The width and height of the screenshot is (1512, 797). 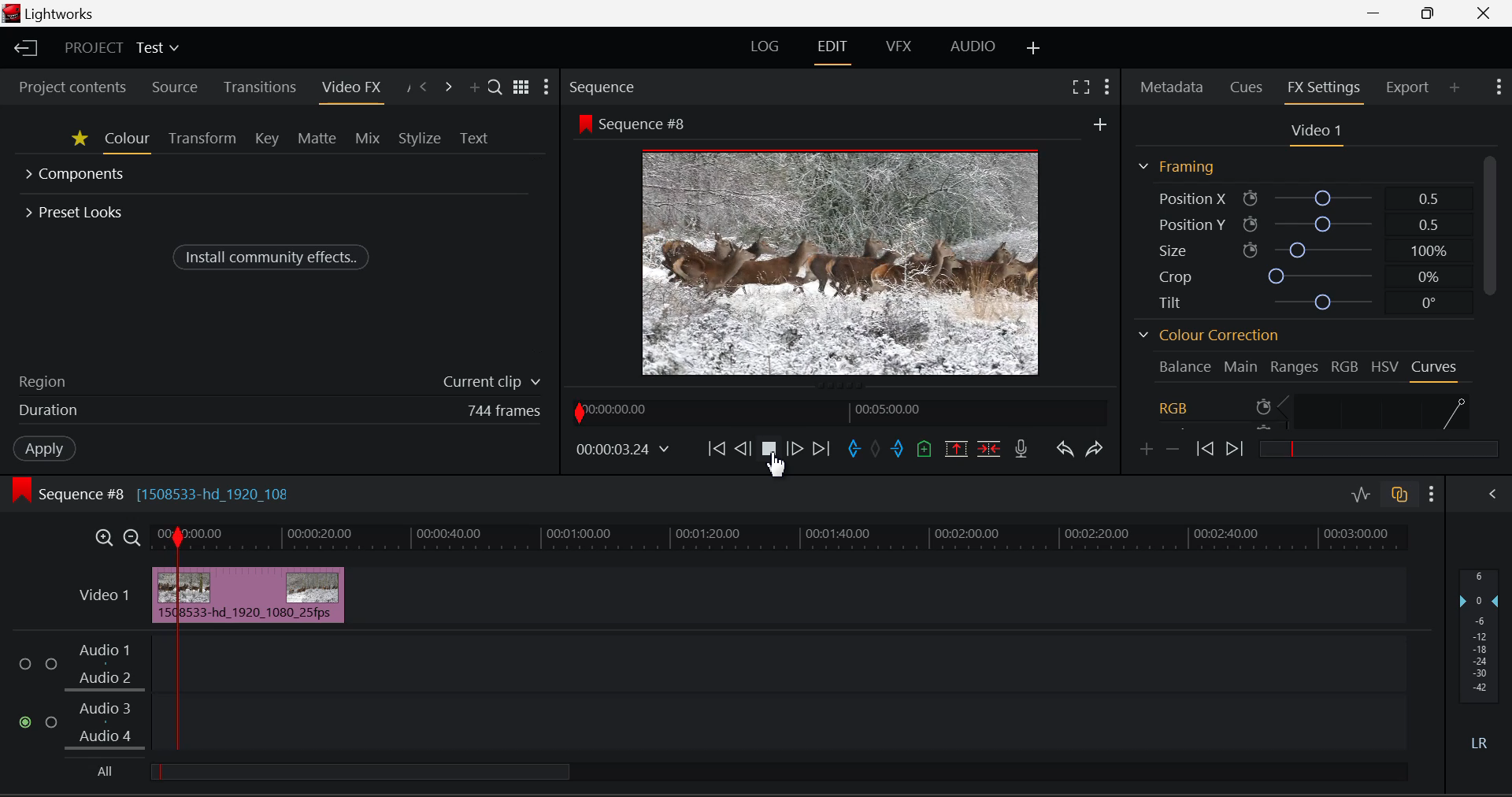 What do you see at coordinates (79, 141) in the screenshot?
I see `Favorites` at bounding box center [79, 141].